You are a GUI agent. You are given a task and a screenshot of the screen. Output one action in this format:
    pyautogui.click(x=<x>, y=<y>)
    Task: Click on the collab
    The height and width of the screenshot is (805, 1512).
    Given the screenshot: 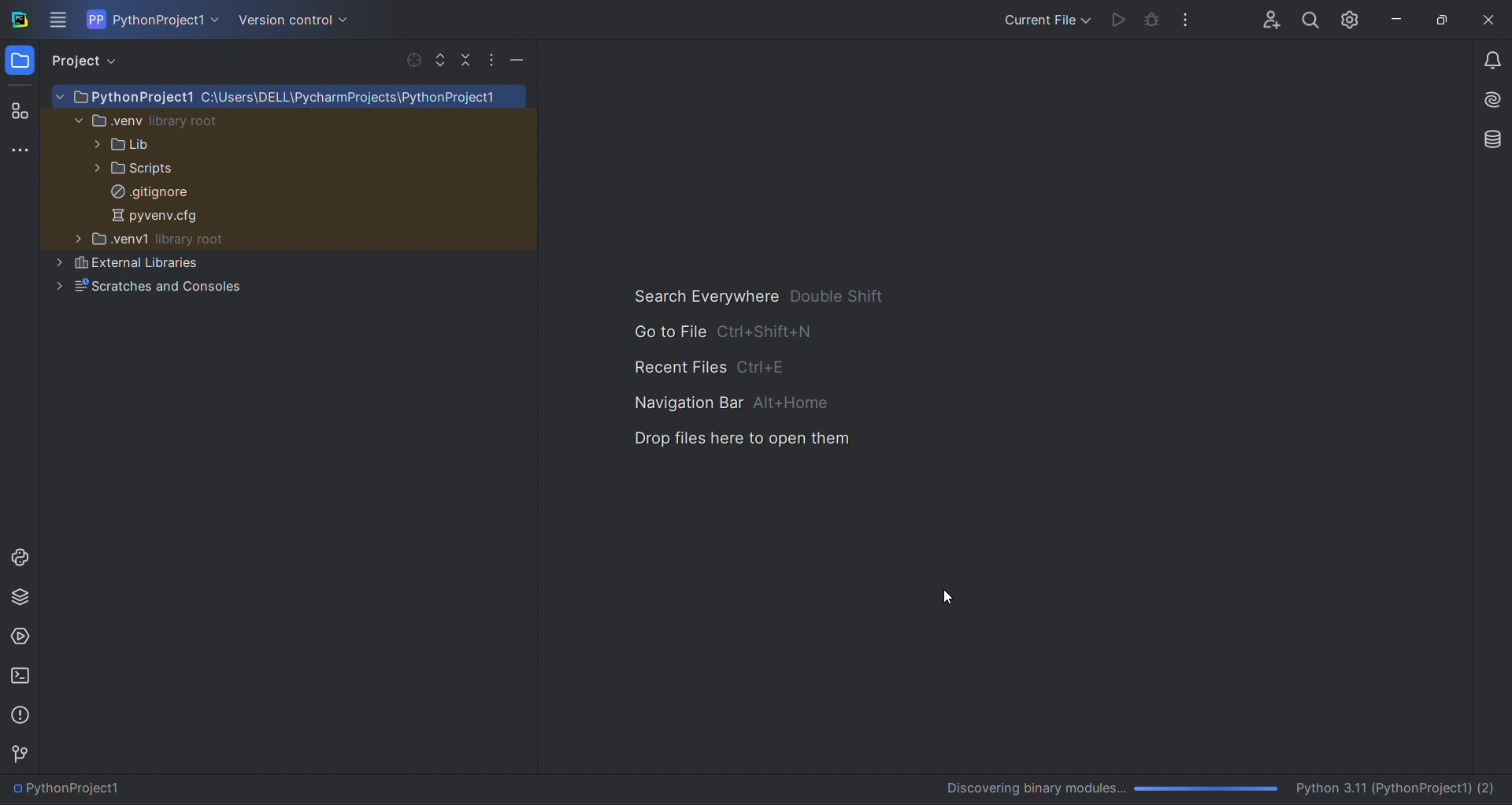 What is the action you would take?
    pyautogui.click(x=1265, y=16)
    